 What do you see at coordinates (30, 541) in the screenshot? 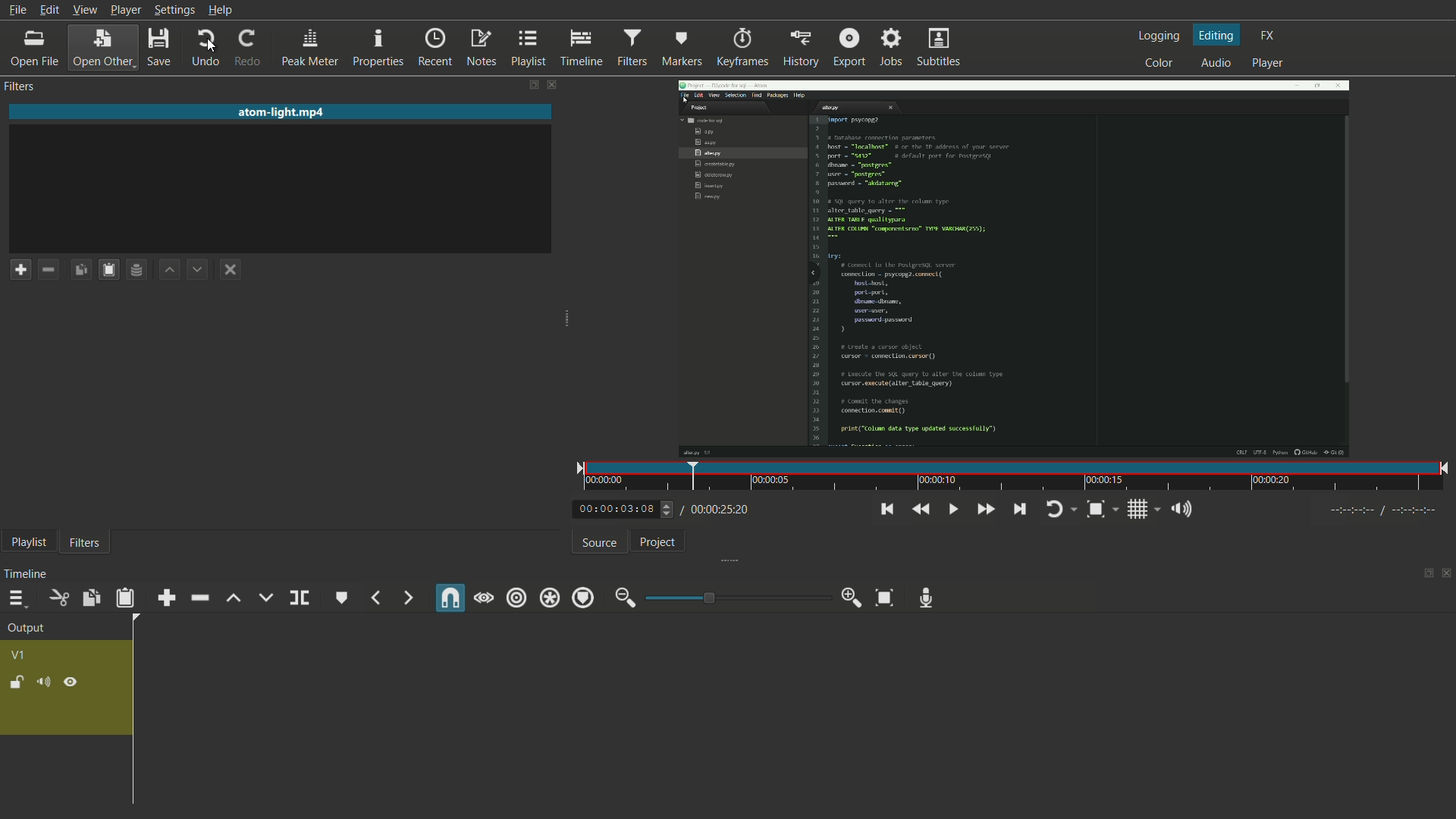
I see `playlist` at bounding box center [30, 541].